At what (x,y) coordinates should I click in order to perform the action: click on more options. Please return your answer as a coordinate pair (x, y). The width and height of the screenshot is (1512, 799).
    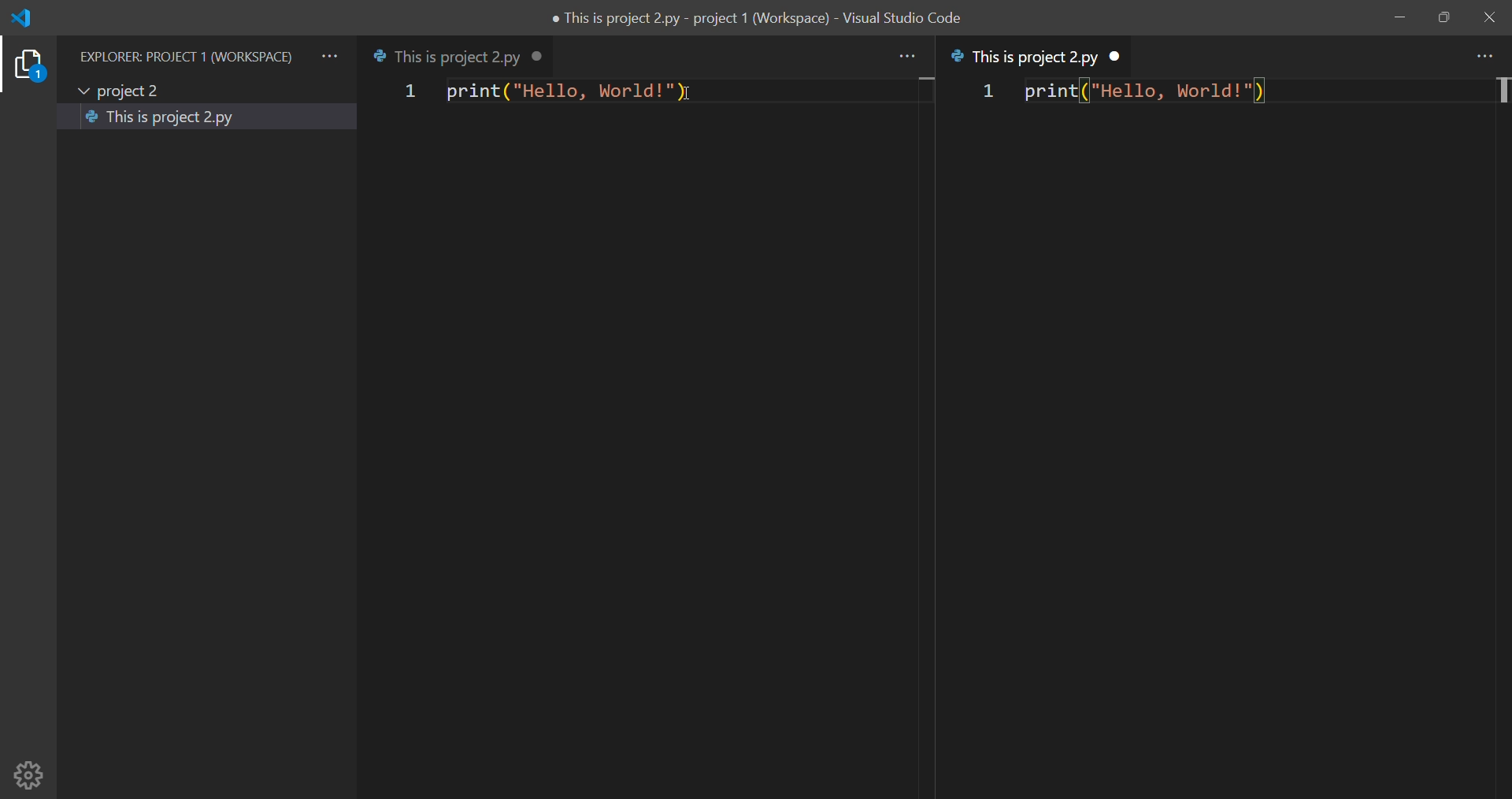
    Looking at the image, I should click on (906, 56).